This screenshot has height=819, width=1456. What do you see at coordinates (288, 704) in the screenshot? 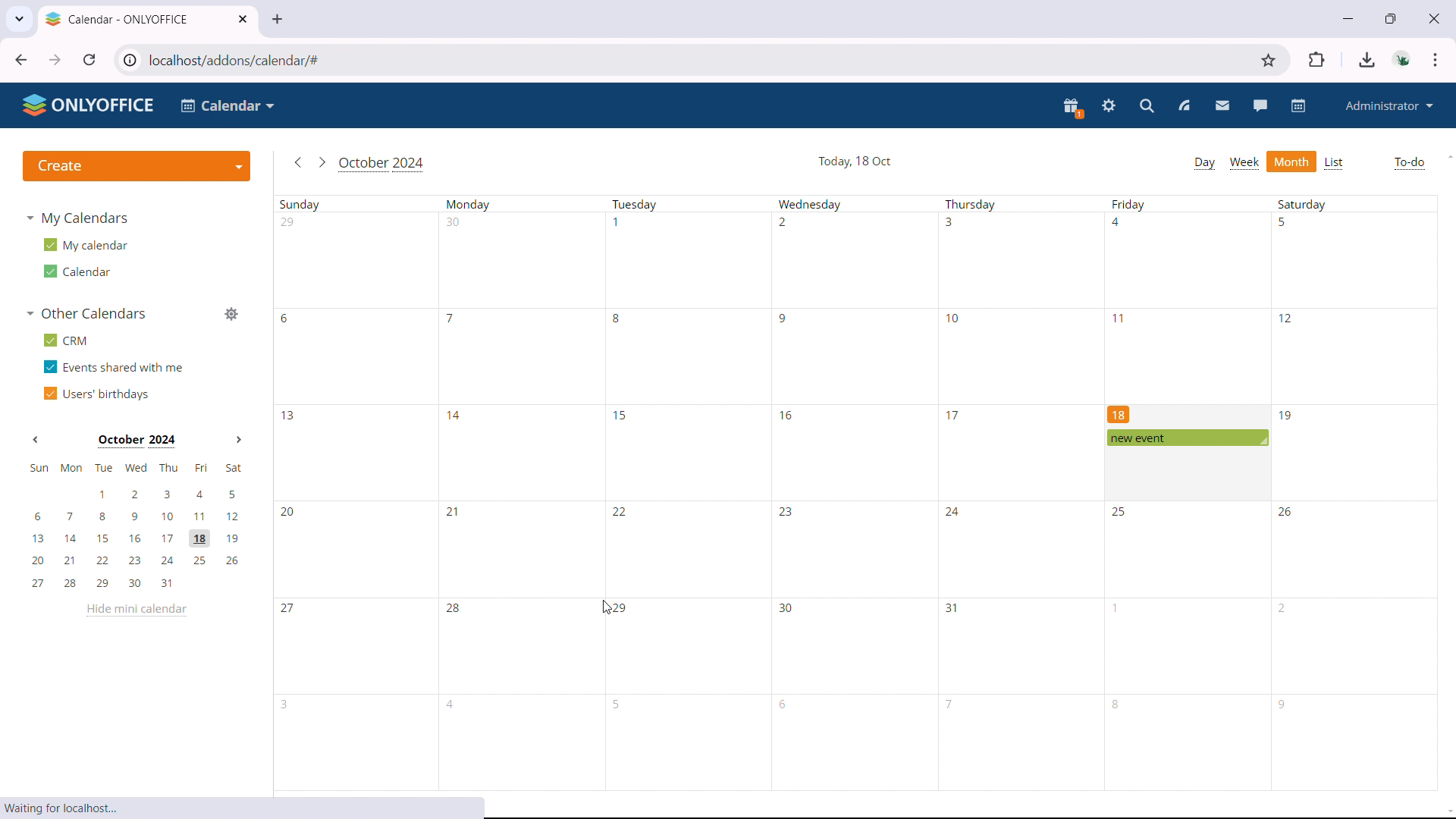
I see `3` at bounding box center [288, 704].